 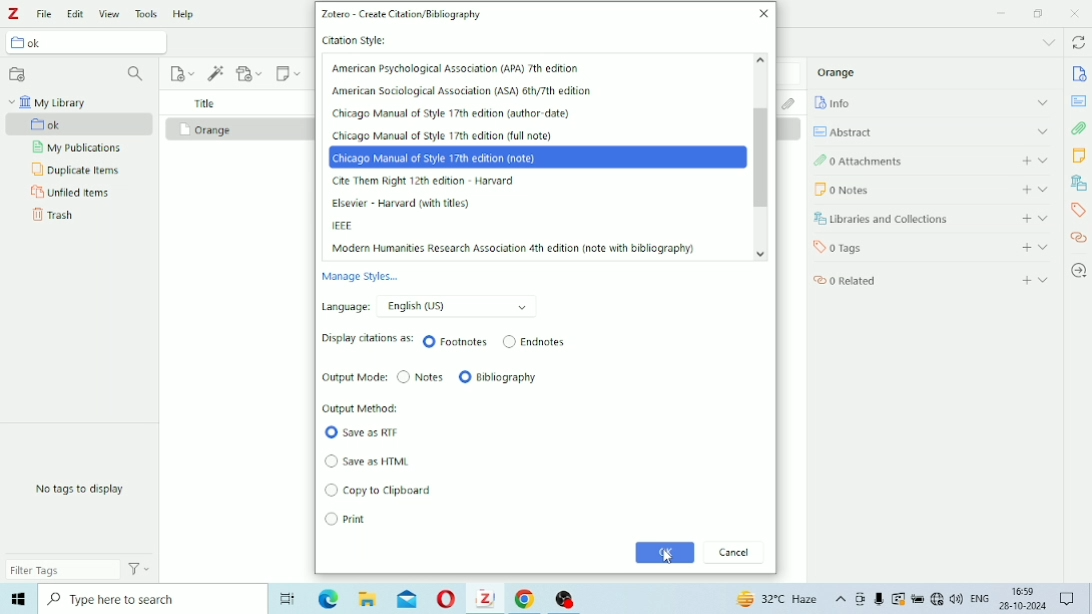 What do you see at coordinates (365, 277) in the screenshot?
I see `Manage Styles` at bounding box center [365, 277].